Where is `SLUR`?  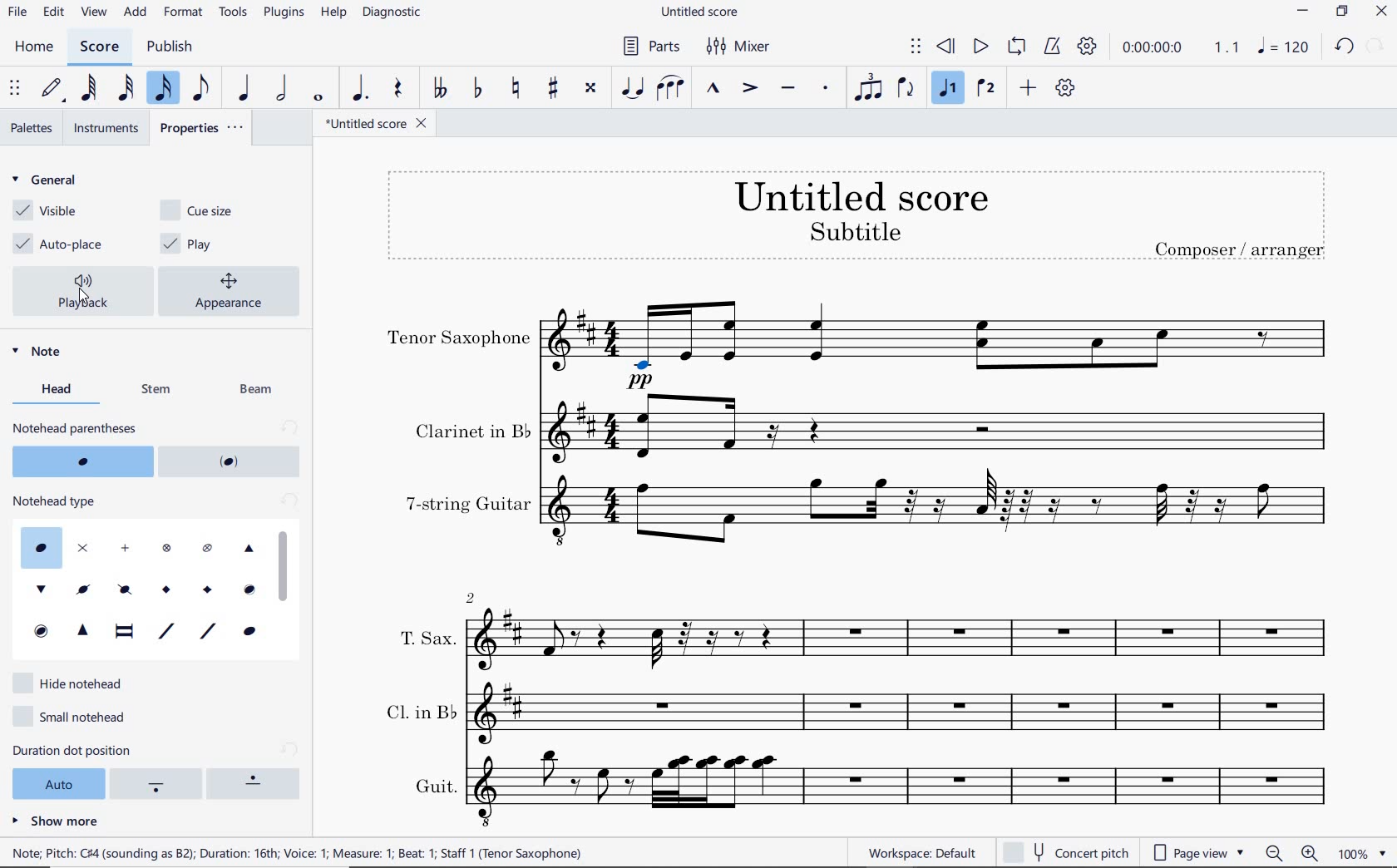
SLUR is located at coordinates (673, 89).